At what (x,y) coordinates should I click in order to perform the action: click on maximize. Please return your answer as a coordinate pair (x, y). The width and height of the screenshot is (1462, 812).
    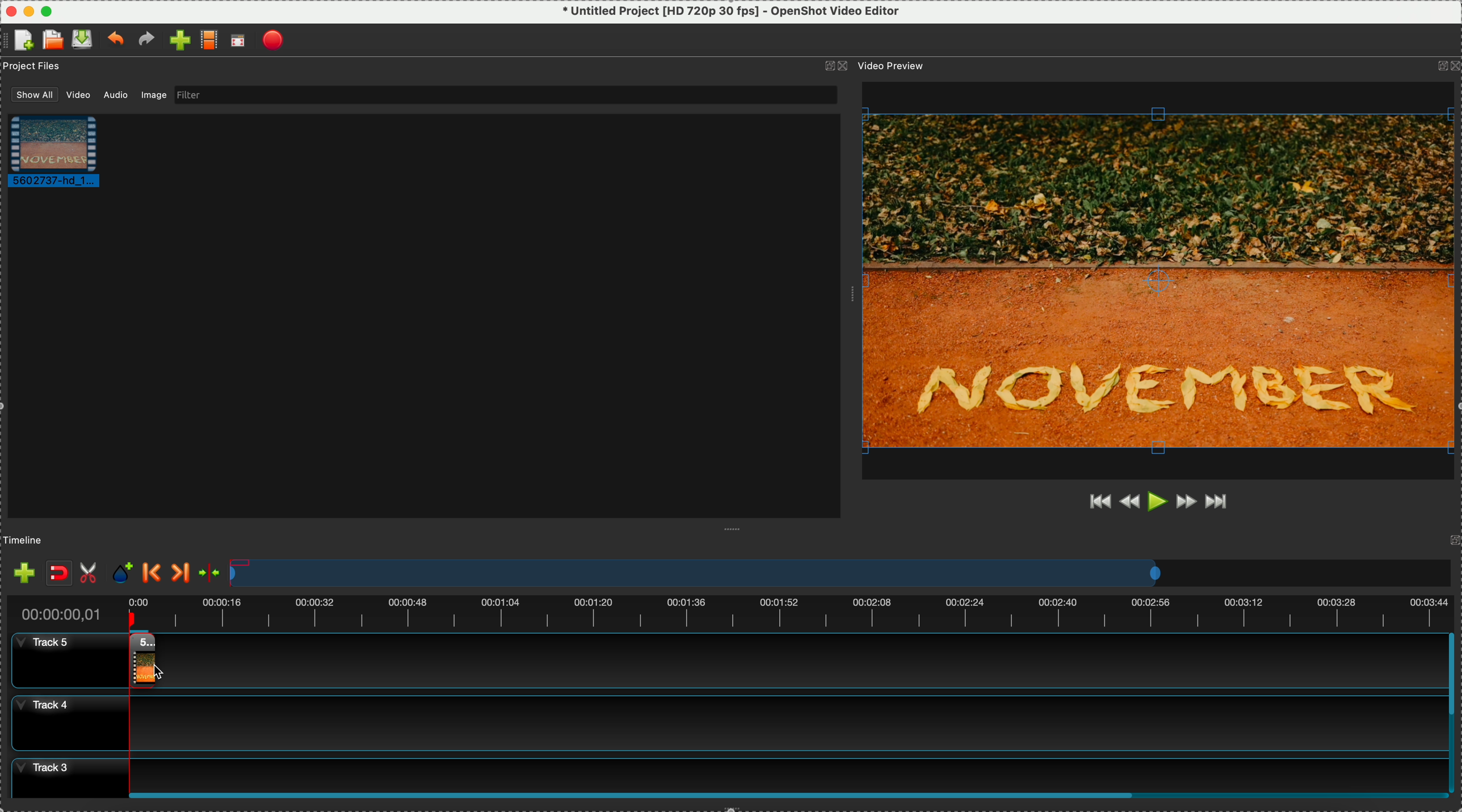
    Looking at the image, I should click on (46, 10).